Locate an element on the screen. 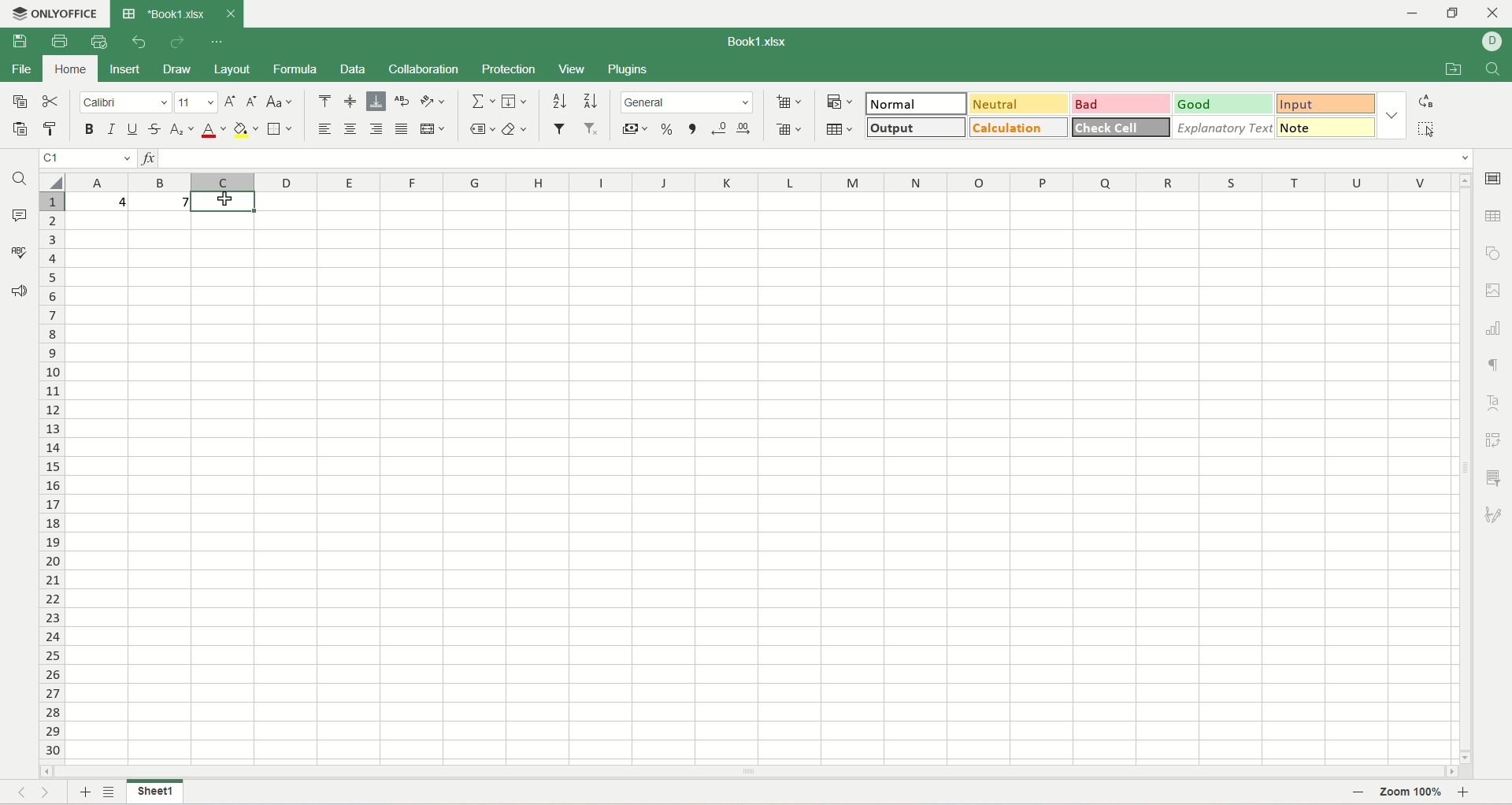  Book1.xlsx is located at coordinates (760, 42).